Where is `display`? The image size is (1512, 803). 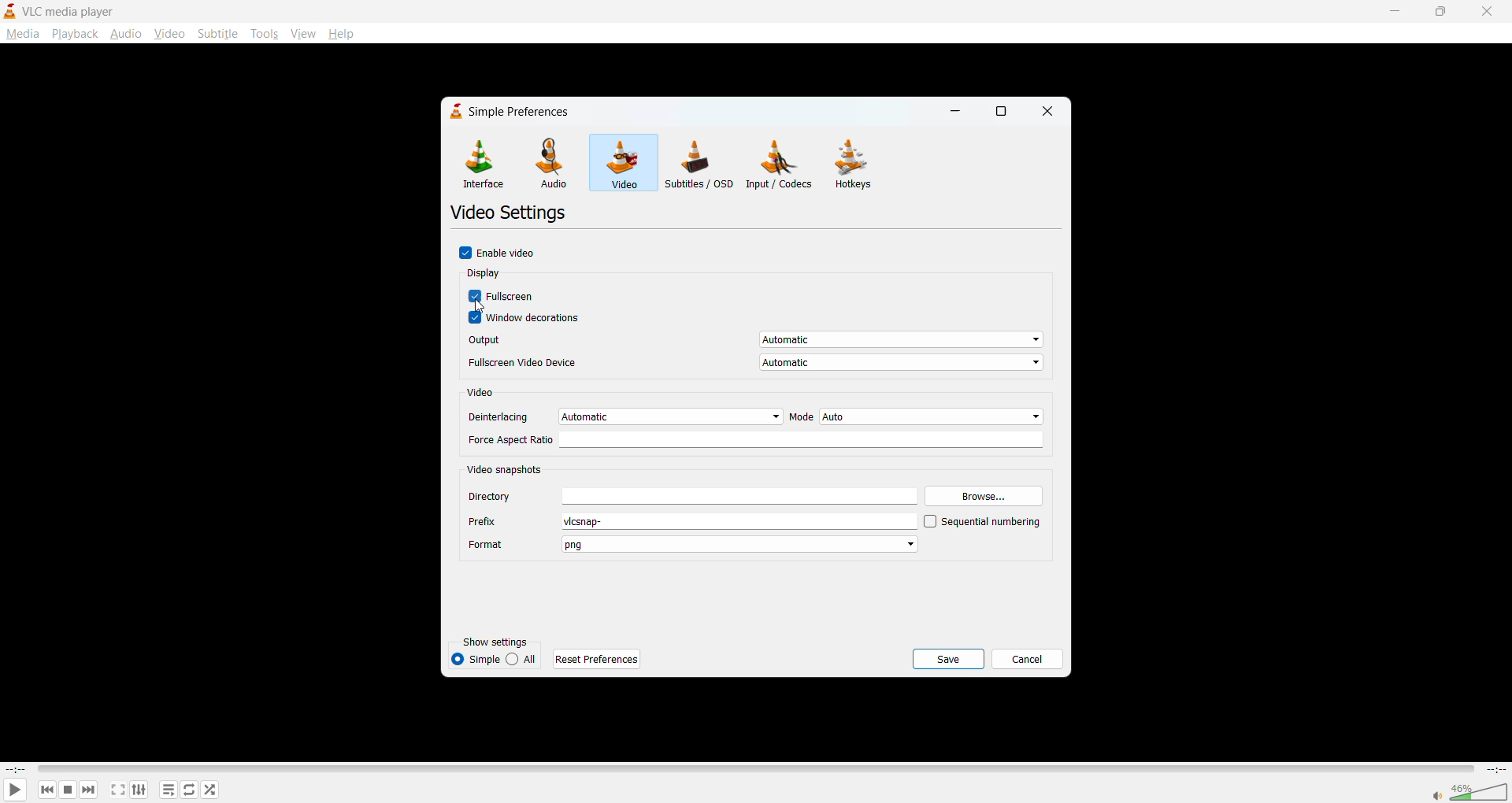
display is located at coordinates (487, 274).